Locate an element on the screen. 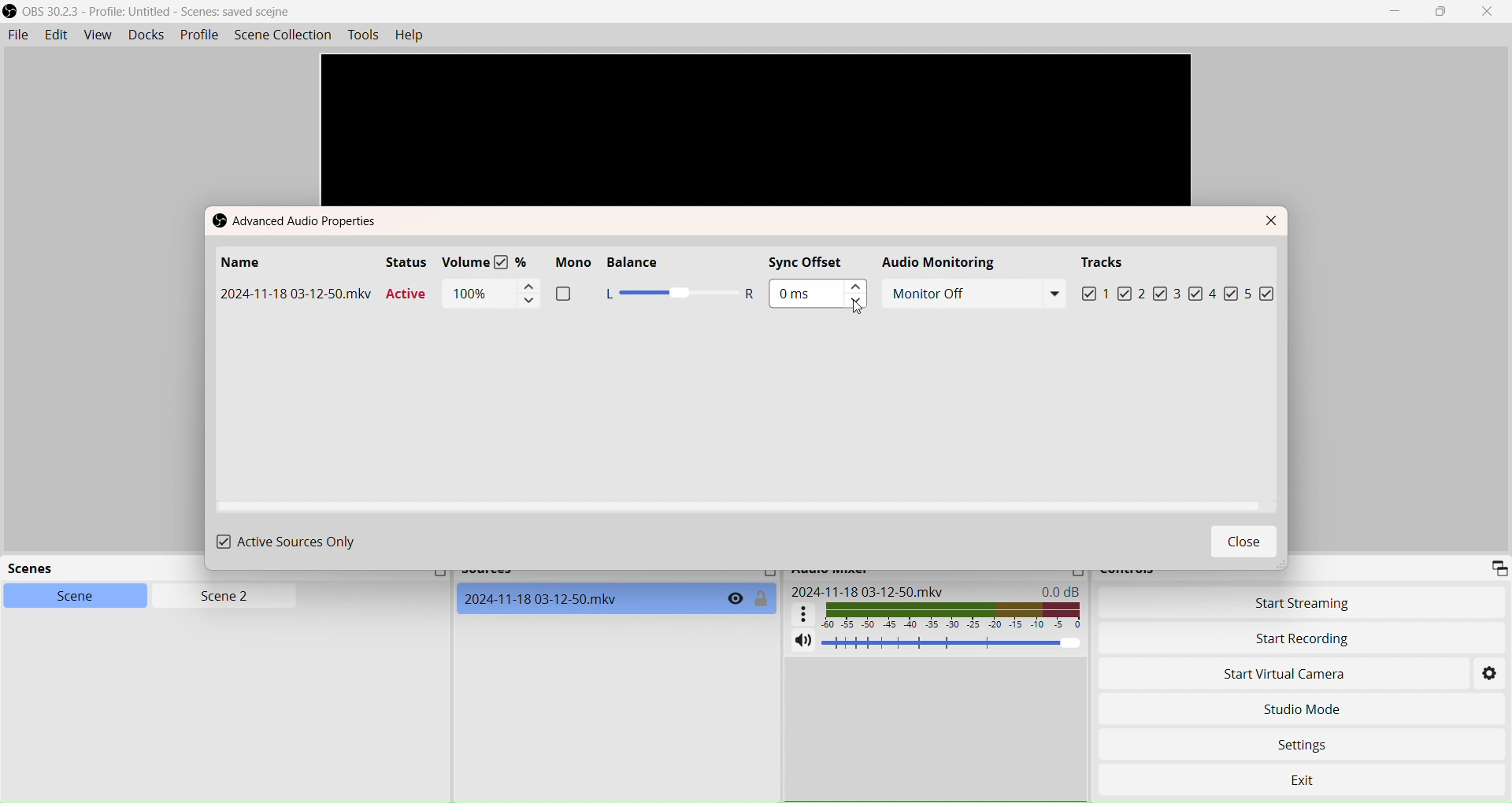  Start Streaming is located at coordinates (1306, 603).